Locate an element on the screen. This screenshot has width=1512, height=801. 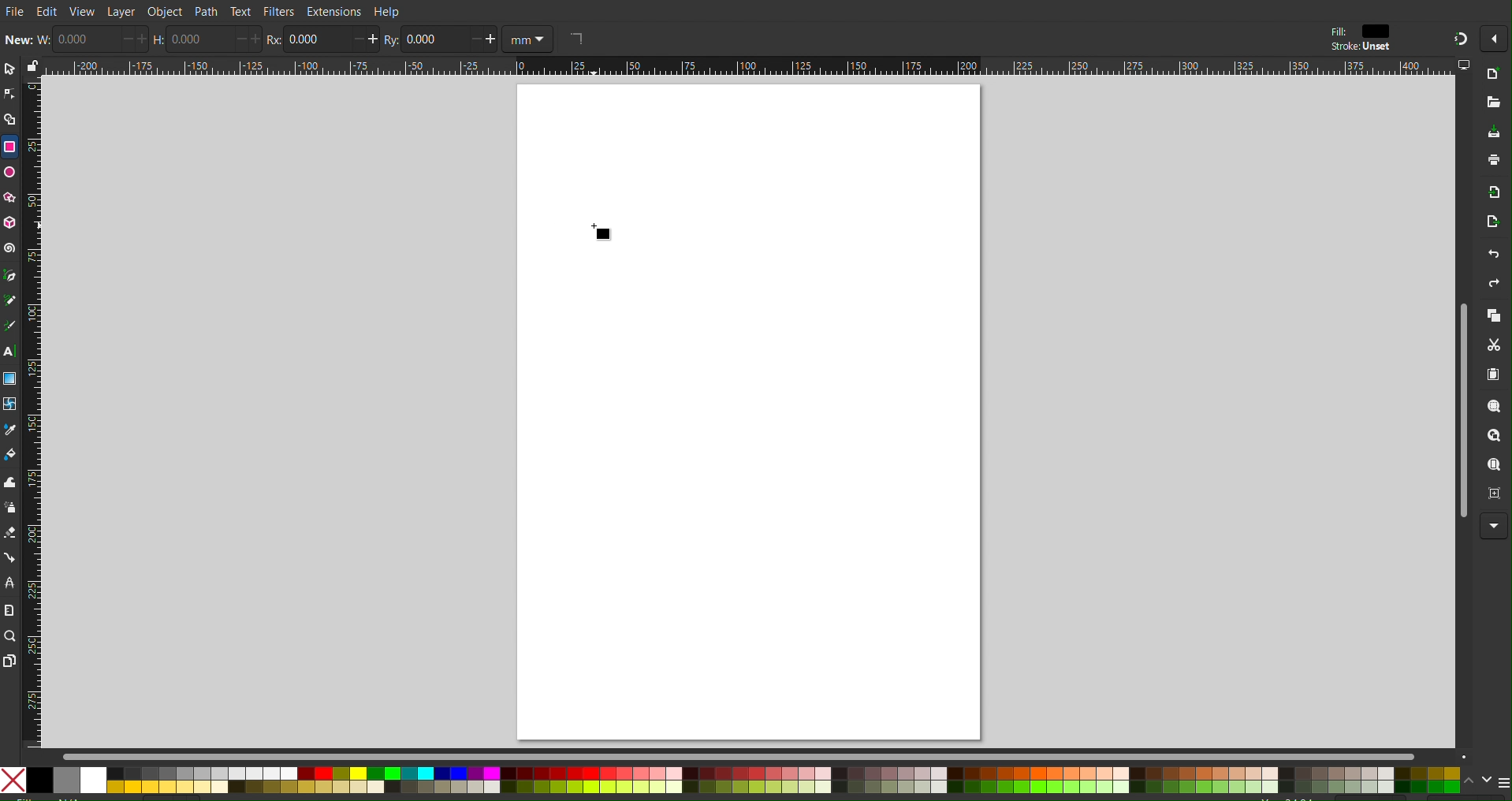
Spray Tool is located at coordinates (9, 510).